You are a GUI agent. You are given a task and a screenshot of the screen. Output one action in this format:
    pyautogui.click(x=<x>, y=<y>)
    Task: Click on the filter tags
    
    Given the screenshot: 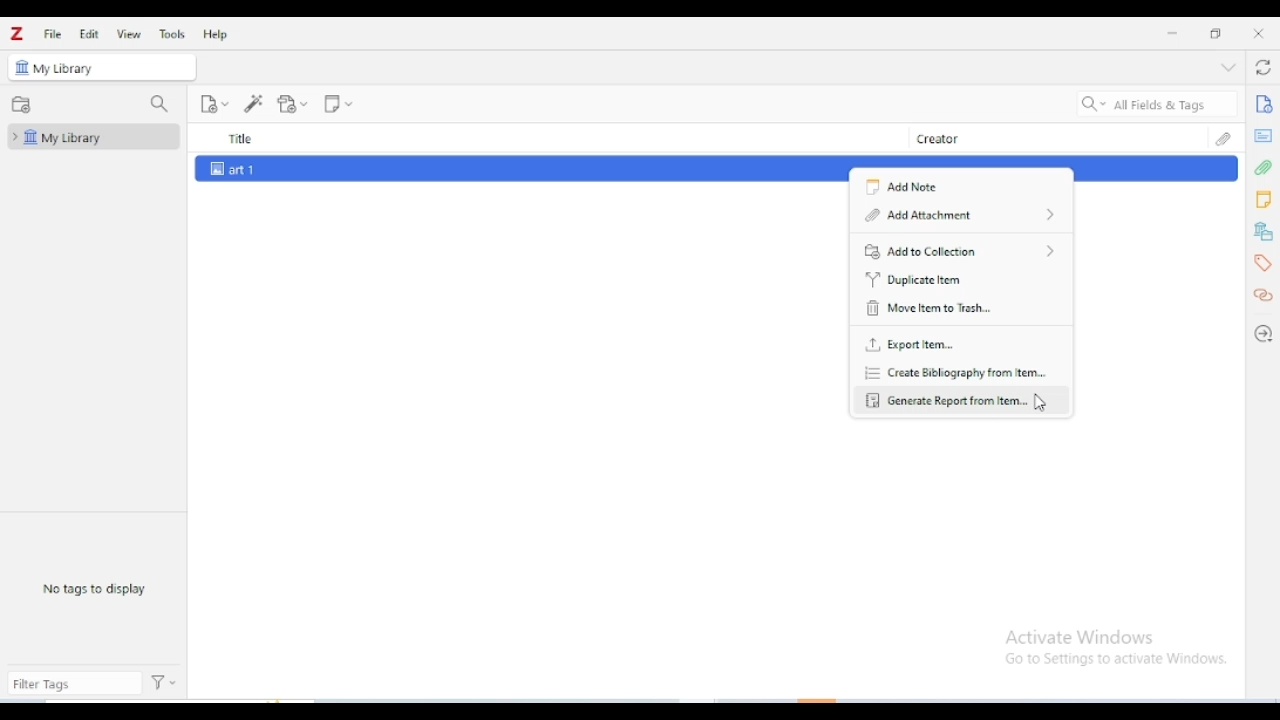 What is the action you would take?
    pyautogui.click(x=74, y=685)
    